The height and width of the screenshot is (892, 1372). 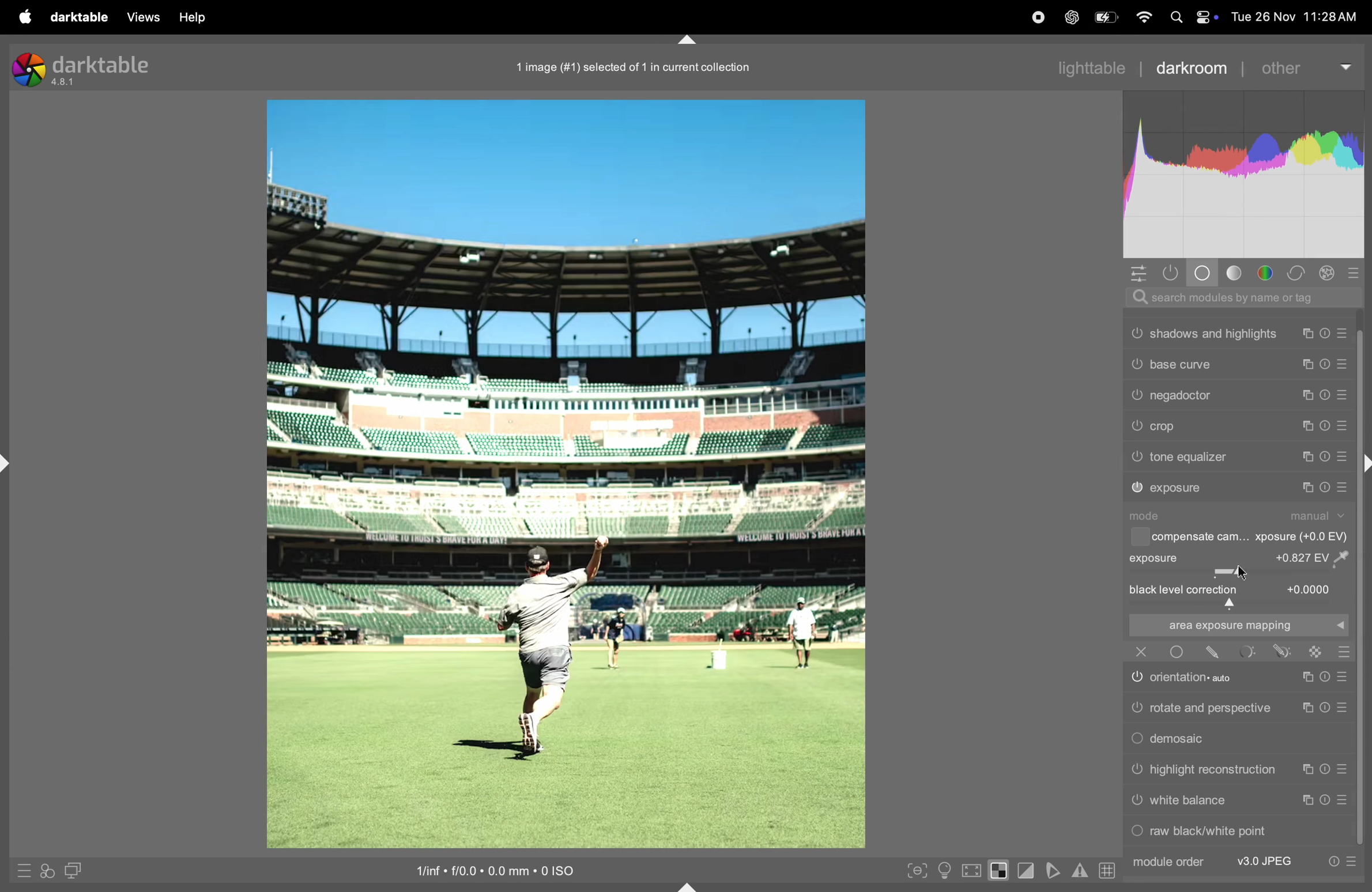 What do you see at coordinates (1000, 870) in the screenshot?
I see `toggle indication expression high exposure` at bounding box center [1000, 870].